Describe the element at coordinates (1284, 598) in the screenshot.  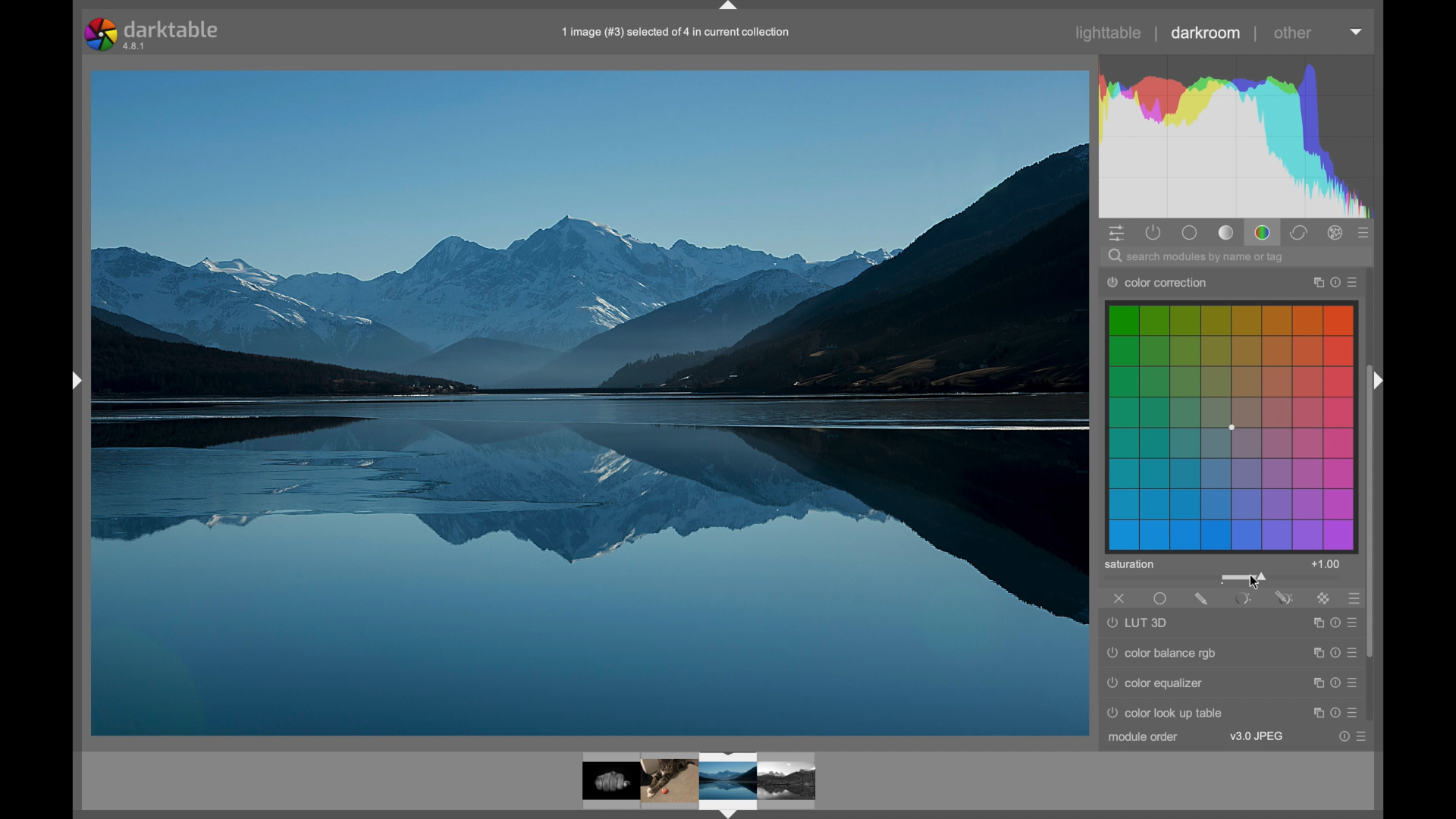
I see `drawn and parametric mask` at that location.